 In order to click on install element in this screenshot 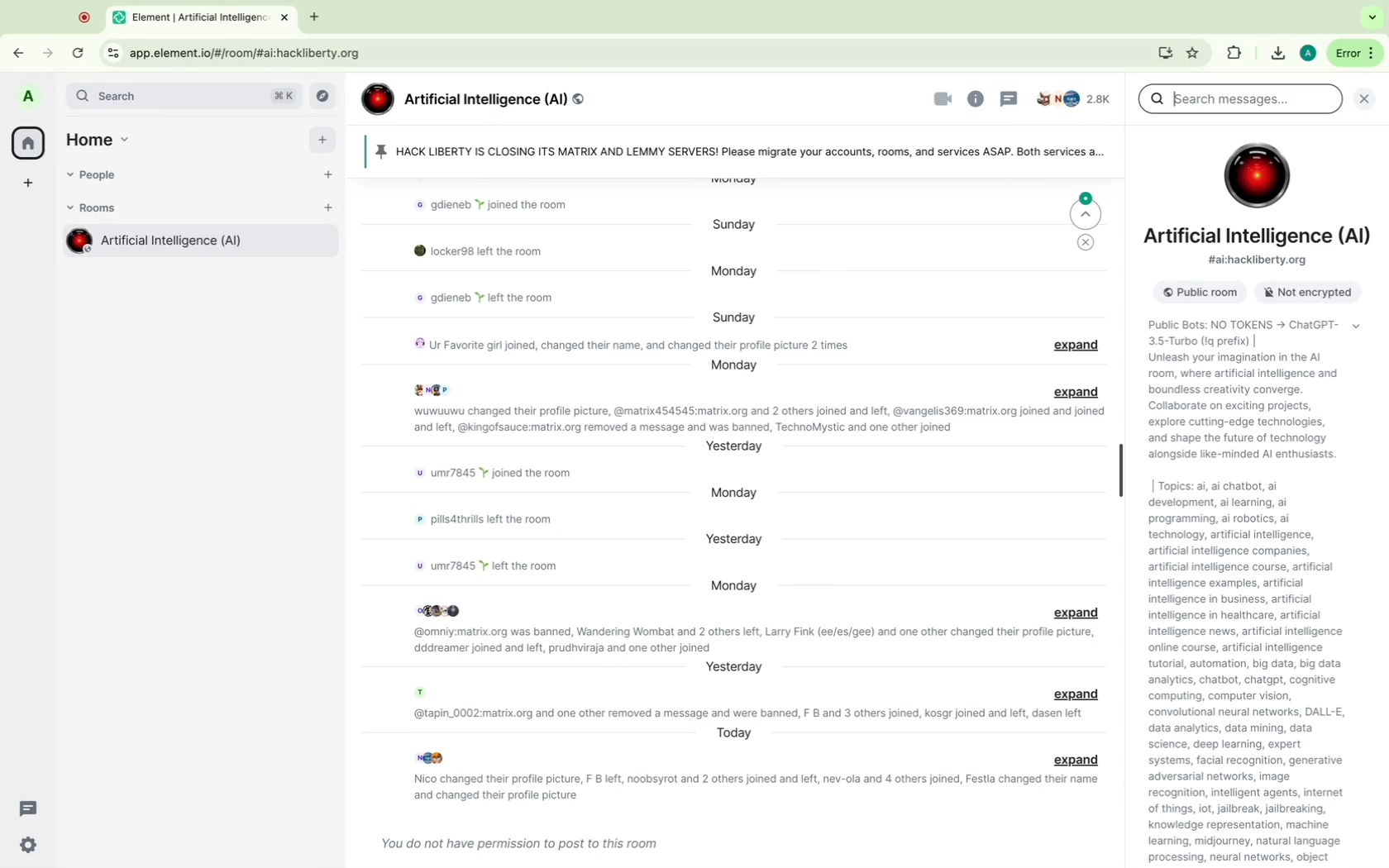, I will do `click(1166, 53)`.